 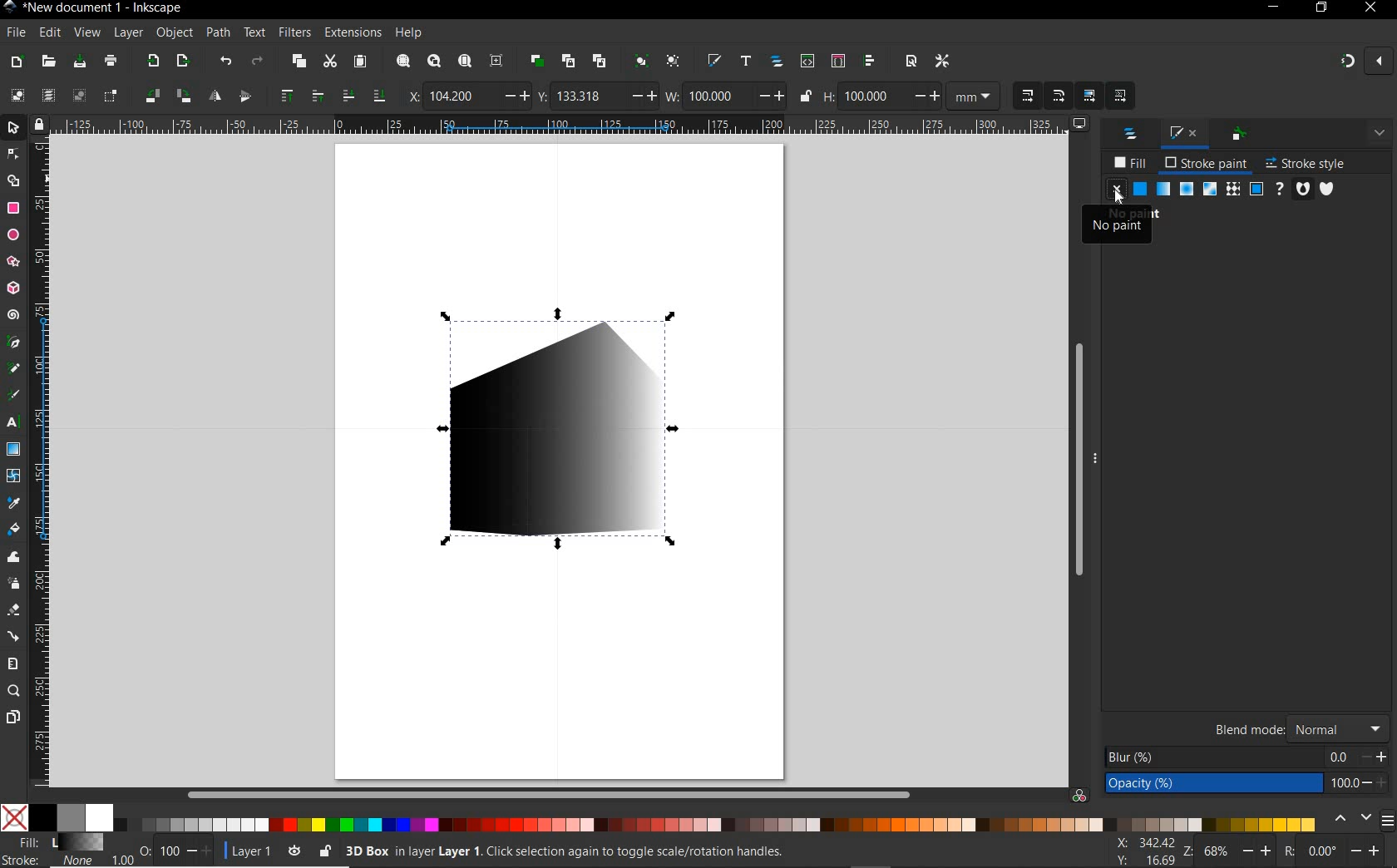 I want to click on SELECTOR TOOL, so click(x=14, y=129).